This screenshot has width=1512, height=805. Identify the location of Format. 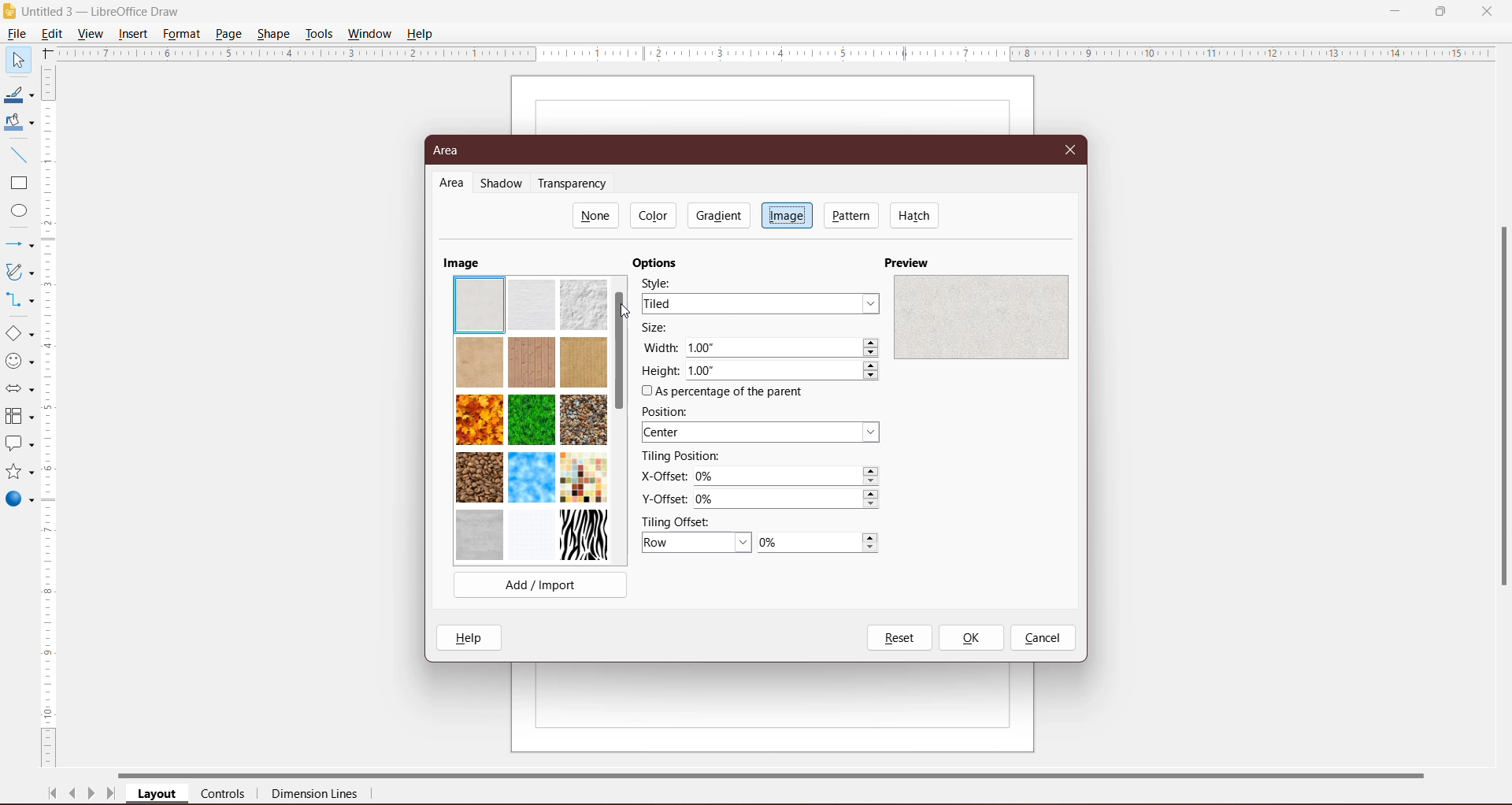
(181, 34).